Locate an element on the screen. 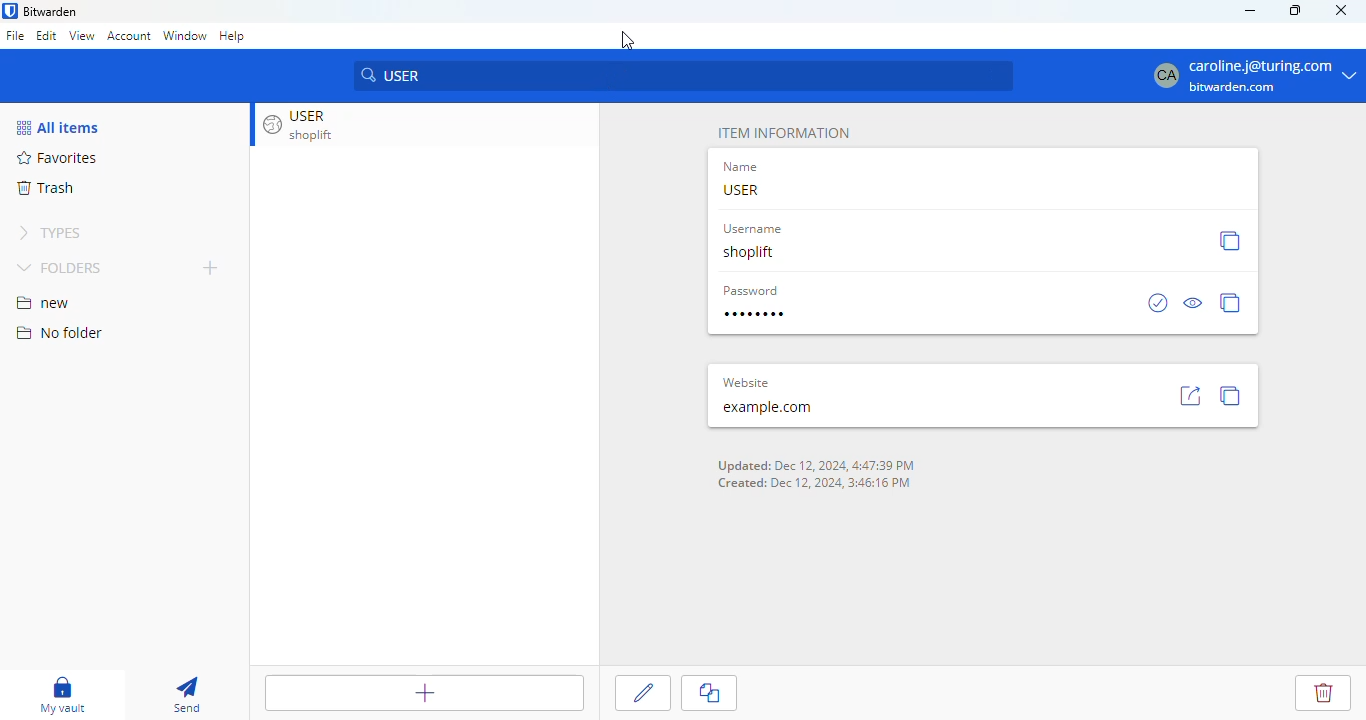  Favorites is located at coordinates (56, 158).